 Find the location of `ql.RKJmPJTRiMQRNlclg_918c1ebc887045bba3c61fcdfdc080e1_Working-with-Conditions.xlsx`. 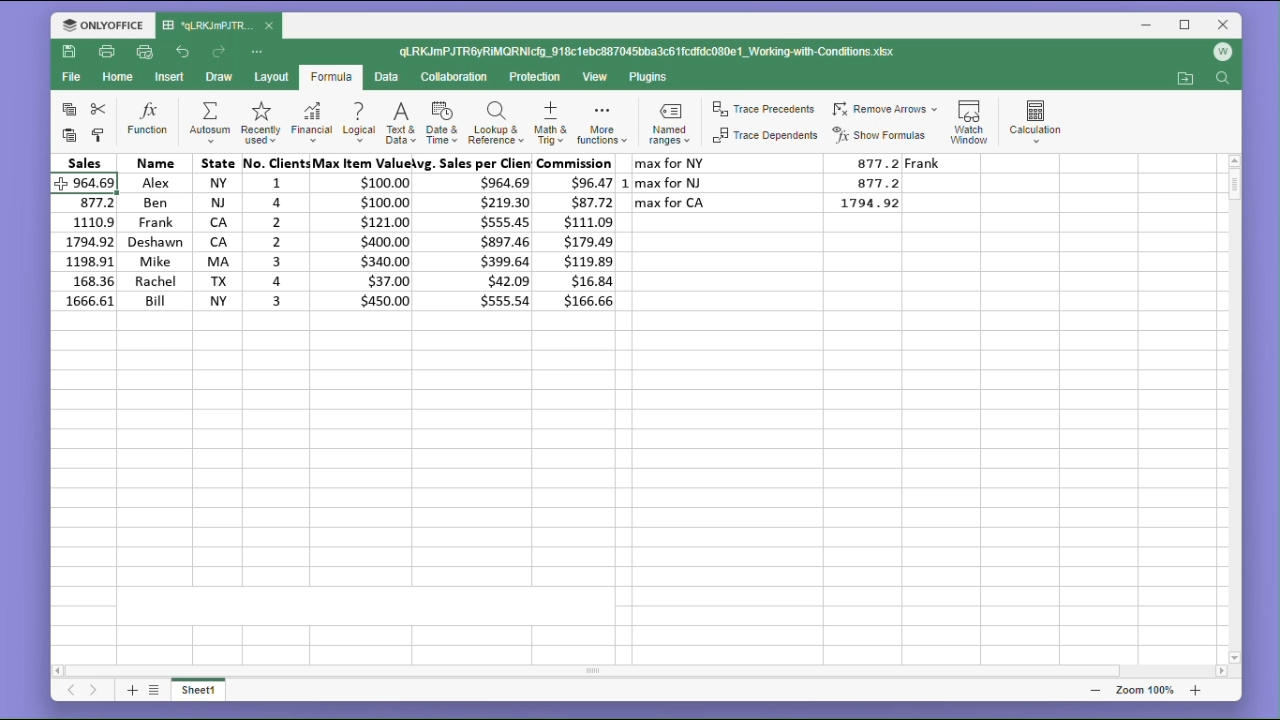

ql.RKJmPJTRiMQRNlclg_918c1ebc887045bba3c61fcdfdc080e1_Working-with-Conditions.xlsx is located at coordinates (668, 52).